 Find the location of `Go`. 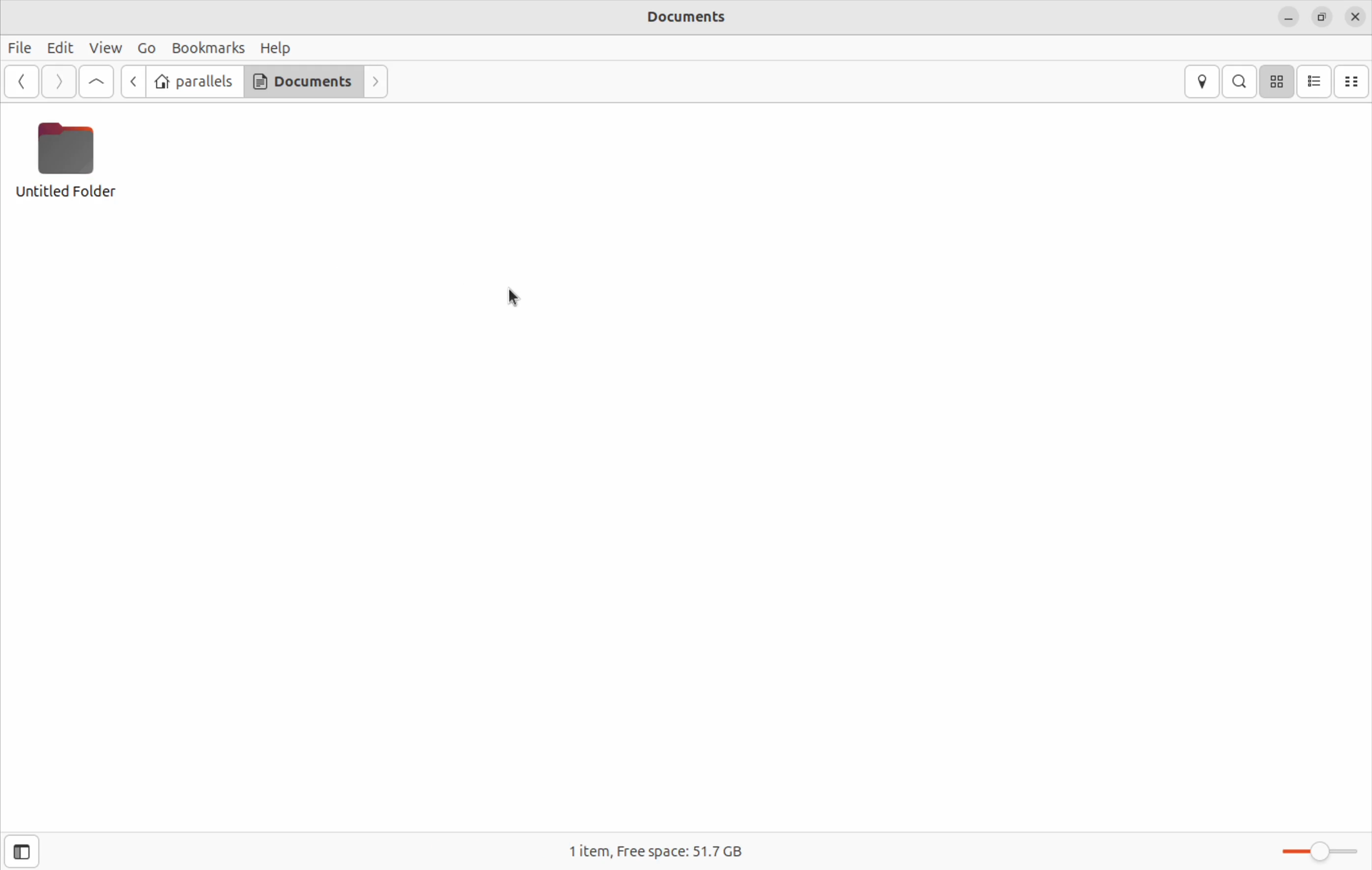

Go is located at coordinates (147, 49).